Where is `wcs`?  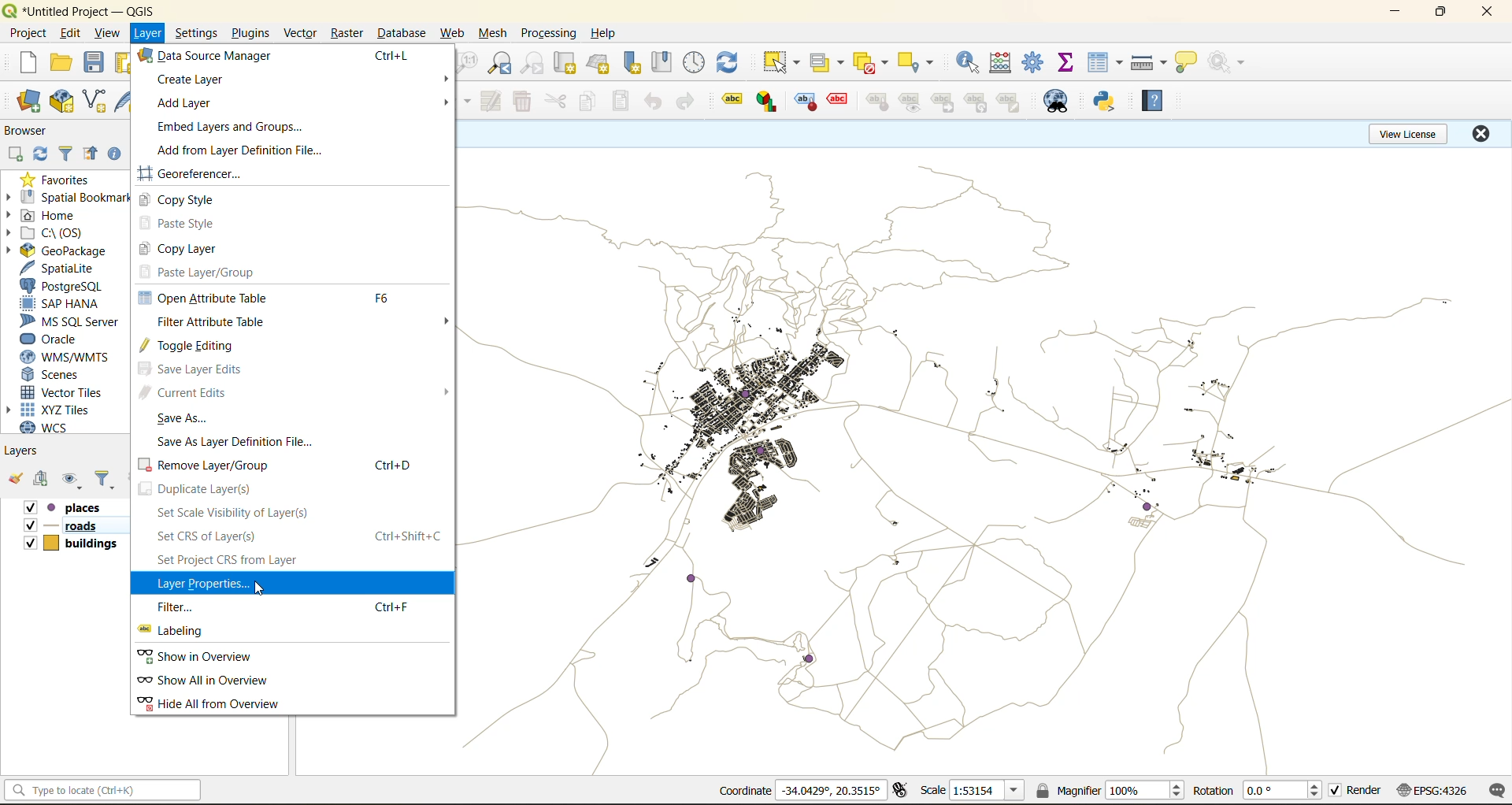
wcs is located at coordinates (57, 427).